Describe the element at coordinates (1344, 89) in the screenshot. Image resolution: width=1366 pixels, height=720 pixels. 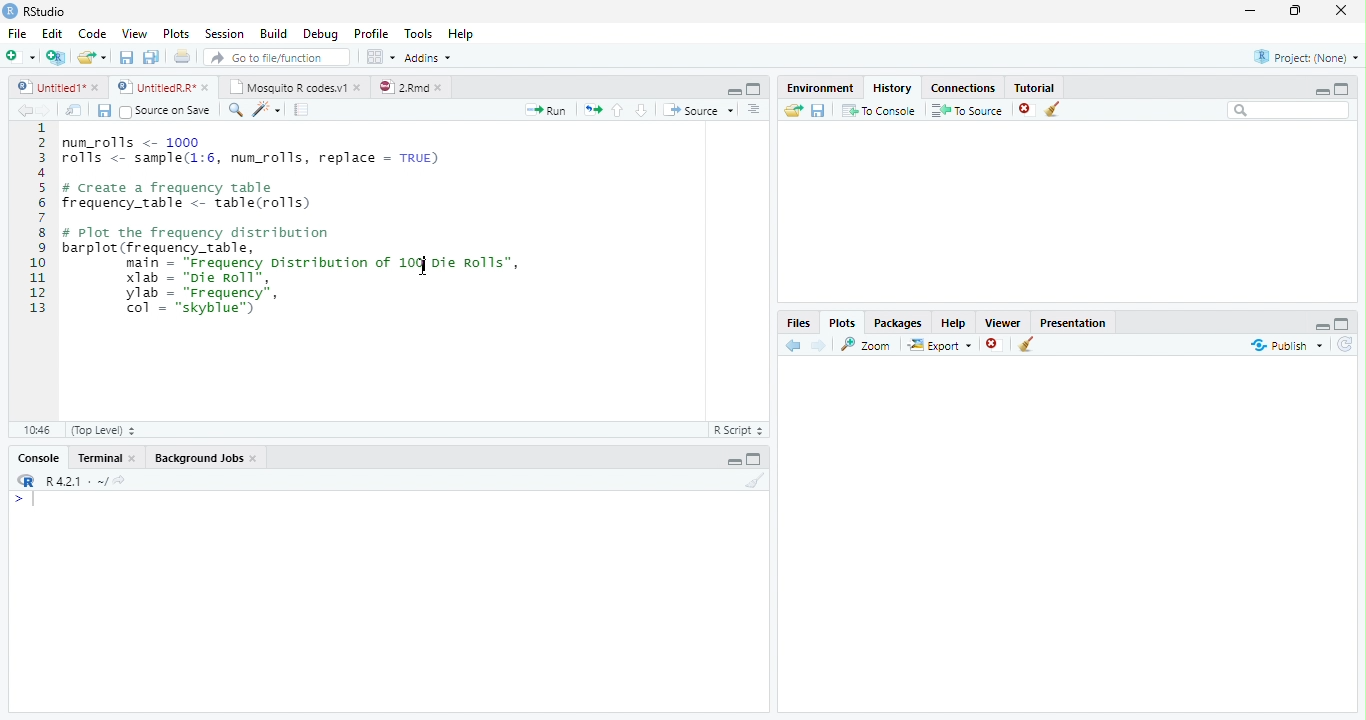
I see `Full Height` at that location.